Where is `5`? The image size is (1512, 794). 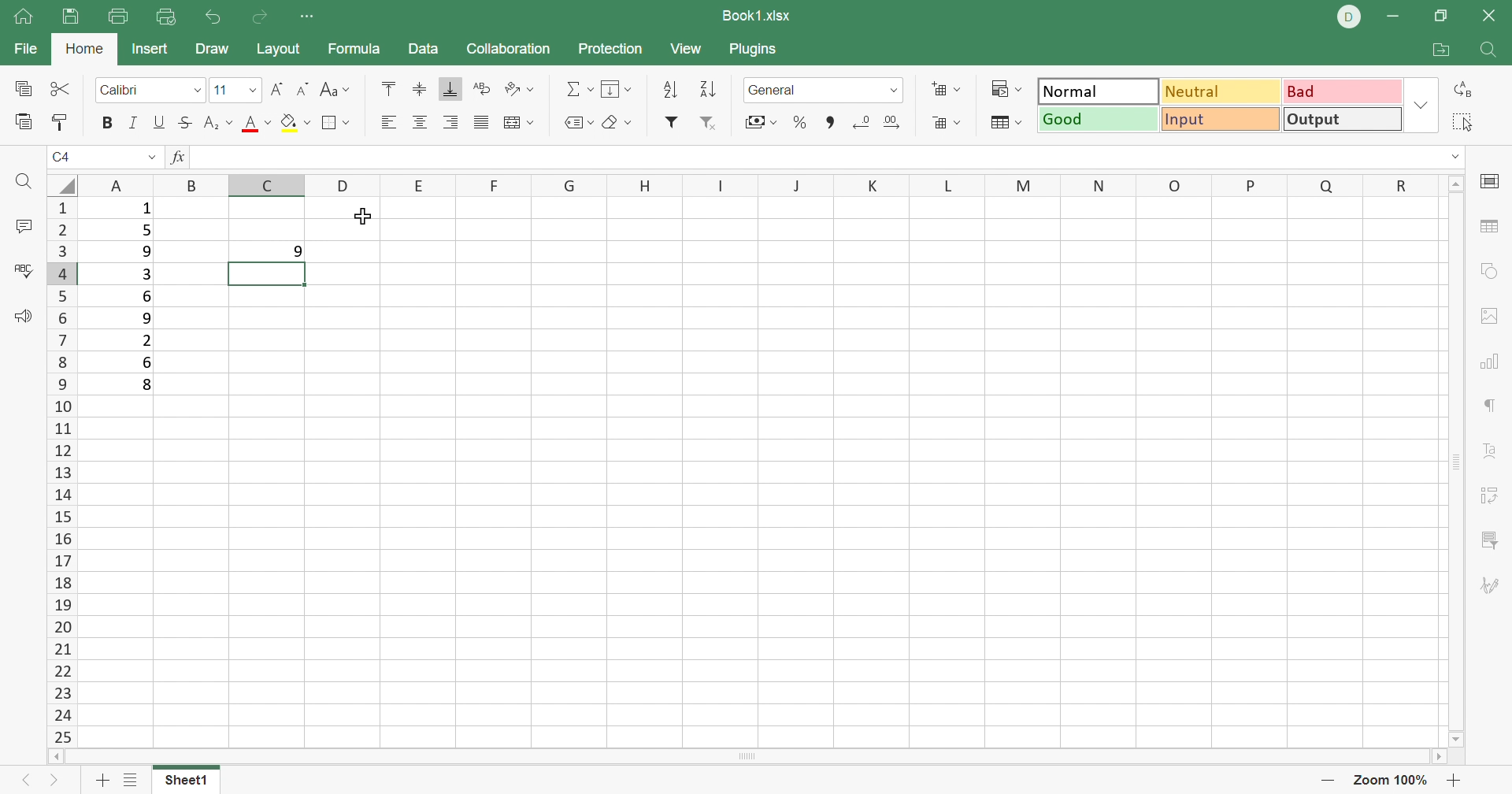 5 is located at coordinates (146, 232).